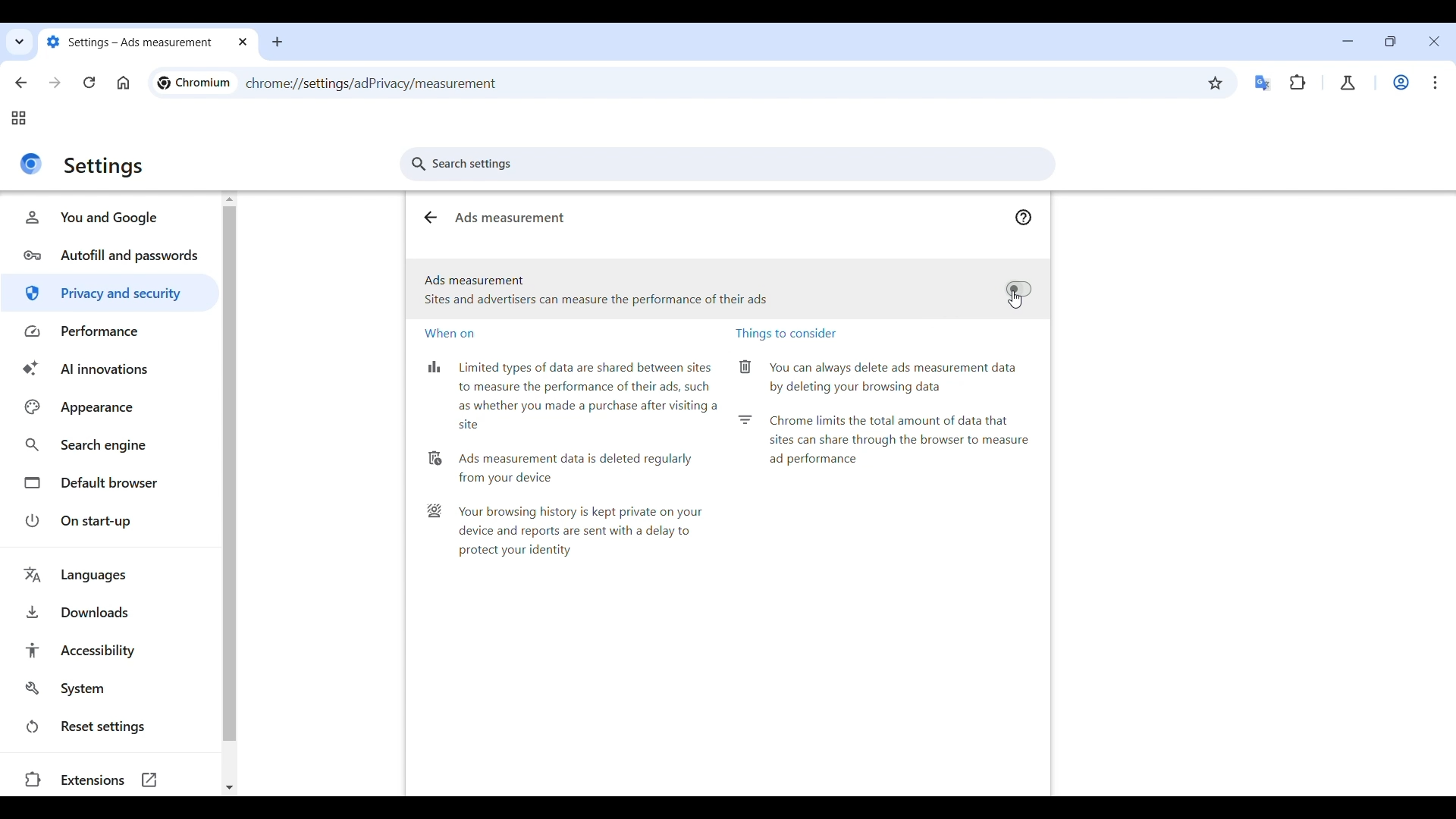 This screenshot has width=1456, height=819. What do you see at coordinates (108, 407) in the screenshot?
I see `Appearance` at bounding box center [108, 407].